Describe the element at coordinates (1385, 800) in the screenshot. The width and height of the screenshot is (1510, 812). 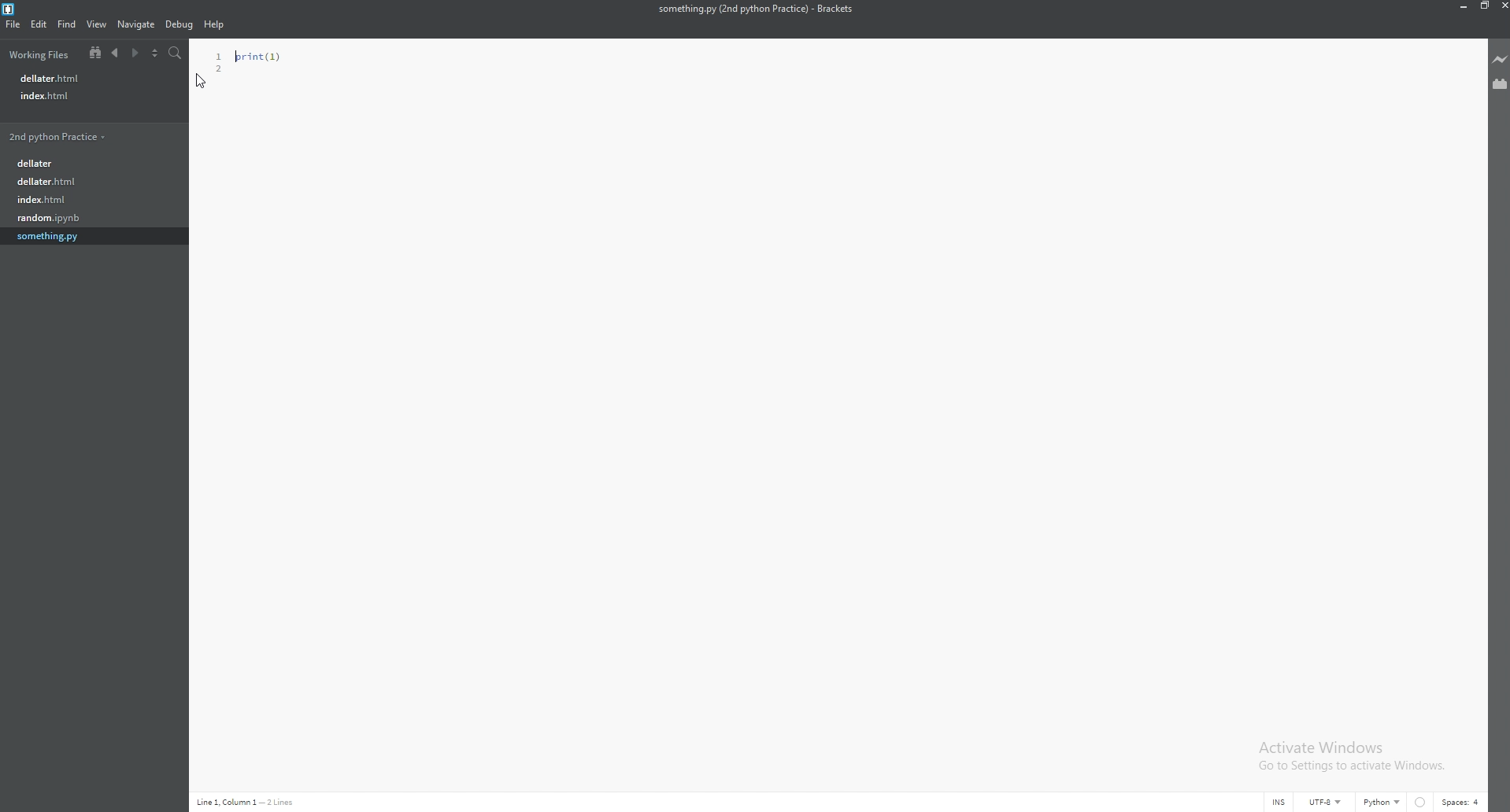
I see `language` at that location.